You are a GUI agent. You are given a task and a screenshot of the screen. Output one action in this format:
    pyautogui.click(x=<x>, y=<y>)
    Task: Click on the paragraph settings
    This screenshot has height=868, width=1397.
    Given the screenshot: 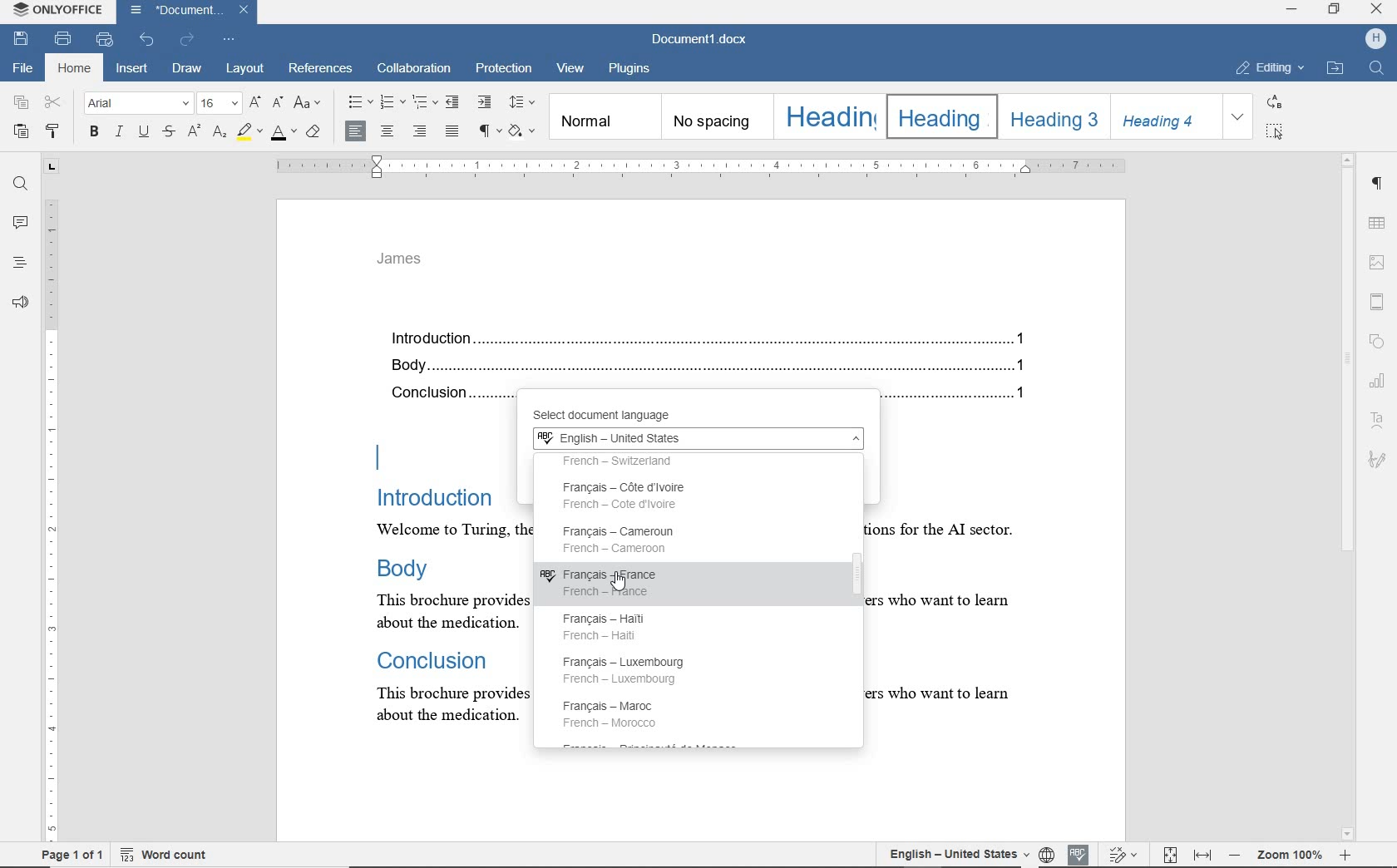 What is the action you would take?
    pyautogui.click(x=1379, y=186)
    